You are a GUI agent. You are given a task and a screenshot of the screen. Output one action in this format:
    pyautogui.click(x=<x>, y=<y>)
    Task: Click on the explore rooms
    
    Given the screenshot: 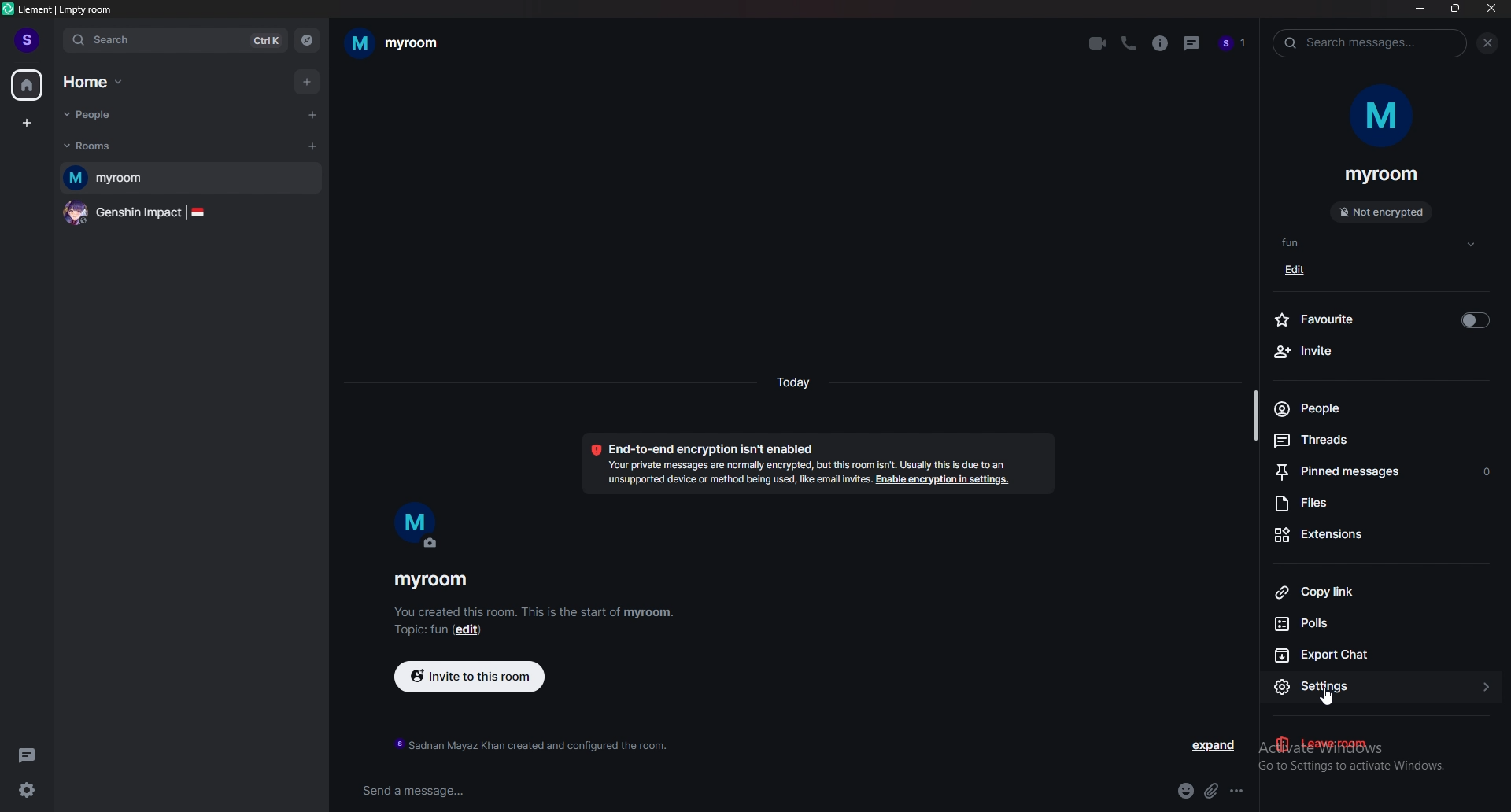 What is the action you would take?
    pyautogui.click(x=307, y=40)
    